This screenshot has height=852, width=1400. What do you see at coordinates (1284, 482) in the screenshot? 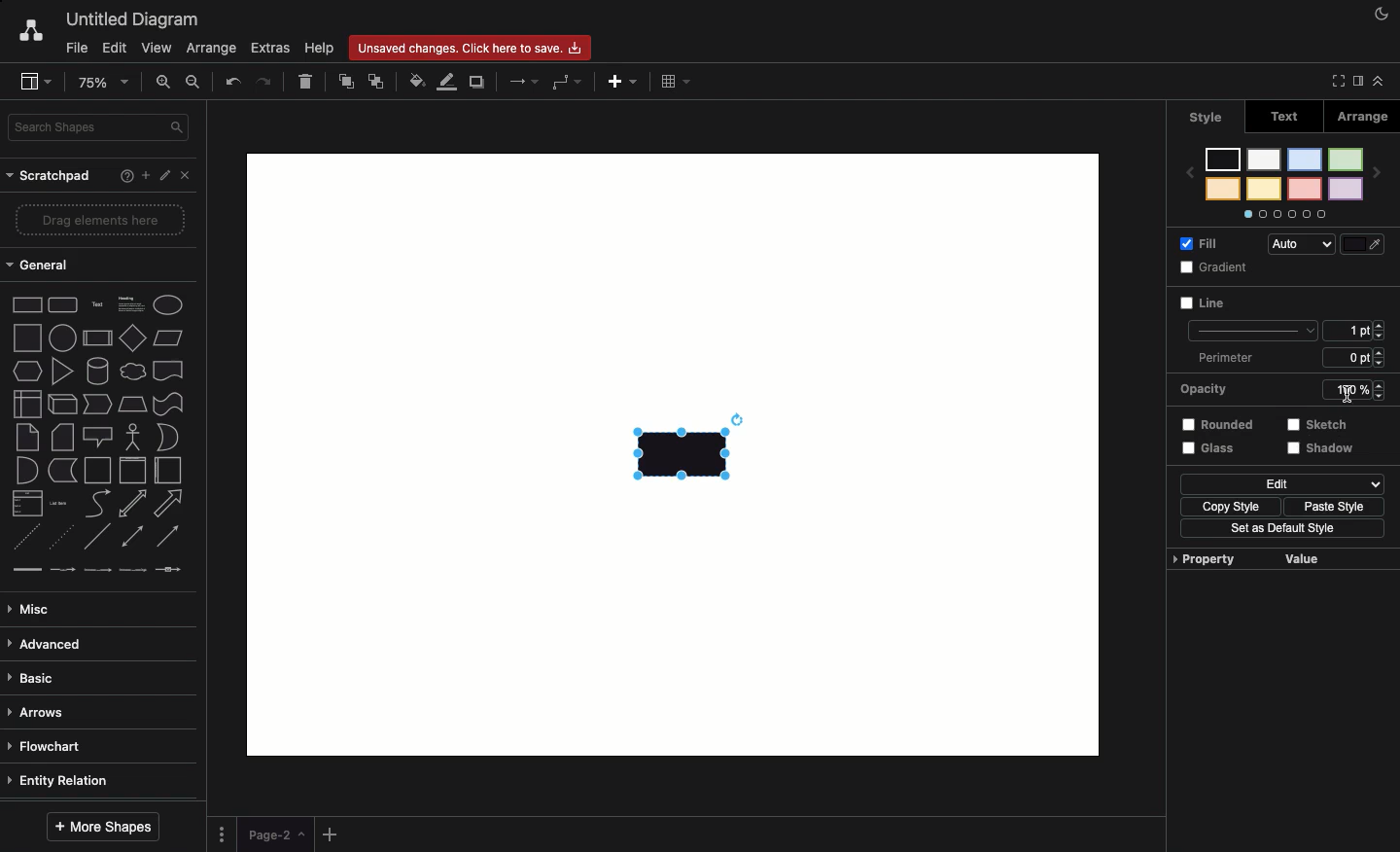
I see `Edit` at bounding box center [1284, 482].